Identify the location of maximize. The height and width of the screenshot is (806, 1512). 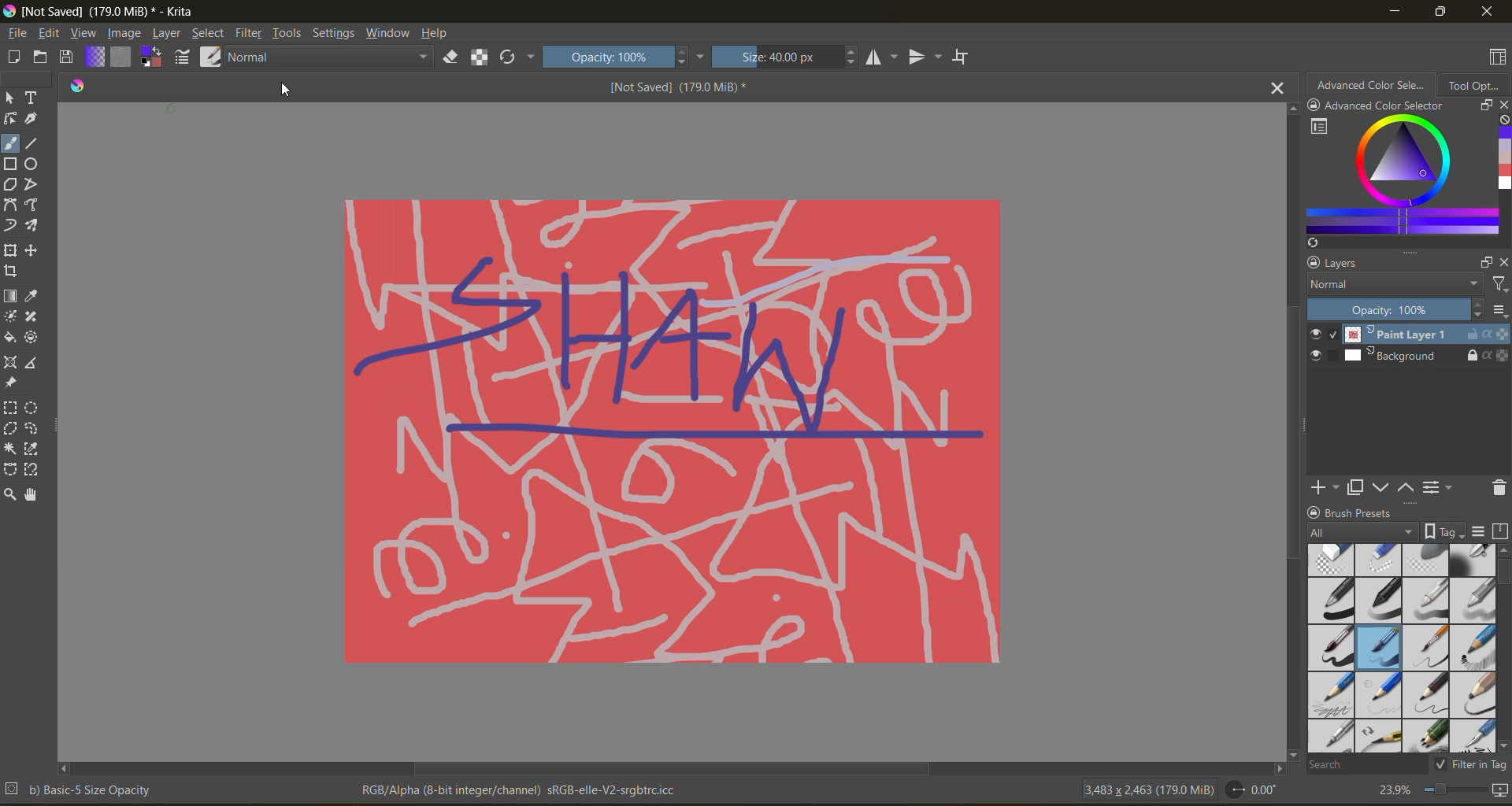
(1442, 13).